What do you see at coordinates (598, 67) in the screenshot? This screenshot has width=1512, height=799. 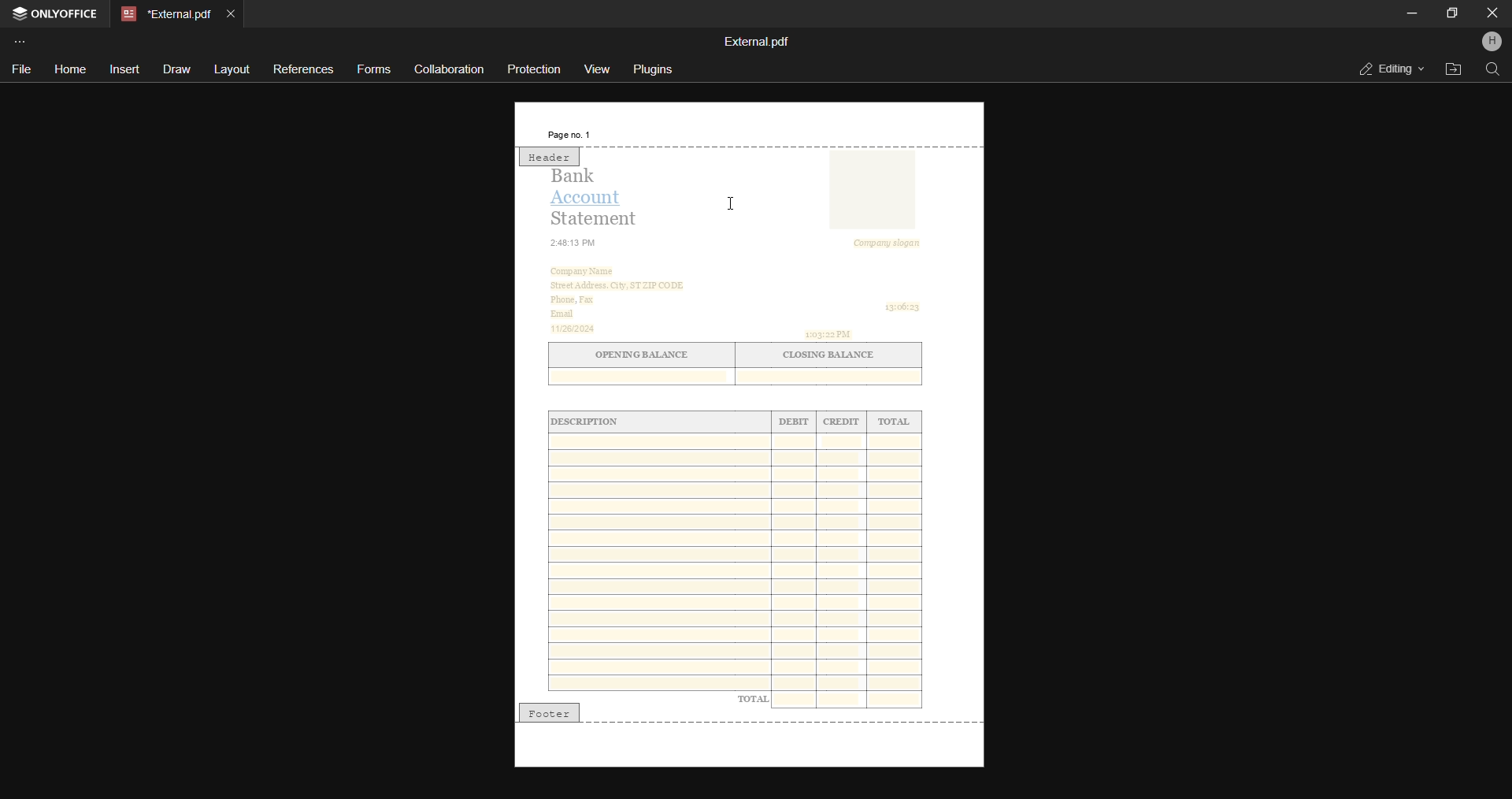 I see `view` at bounding box center [598, 67].